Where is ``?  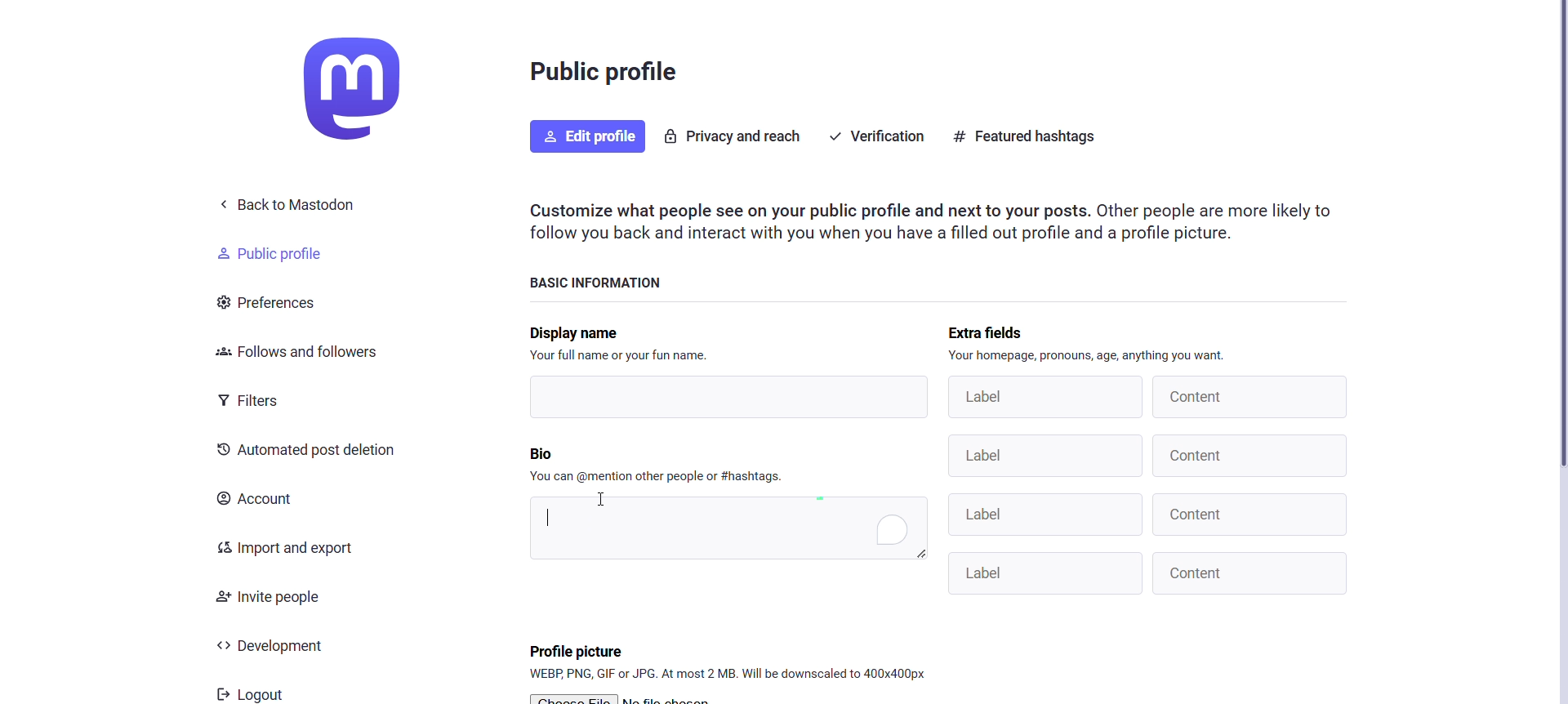  is located at coordinates (1048, 573).